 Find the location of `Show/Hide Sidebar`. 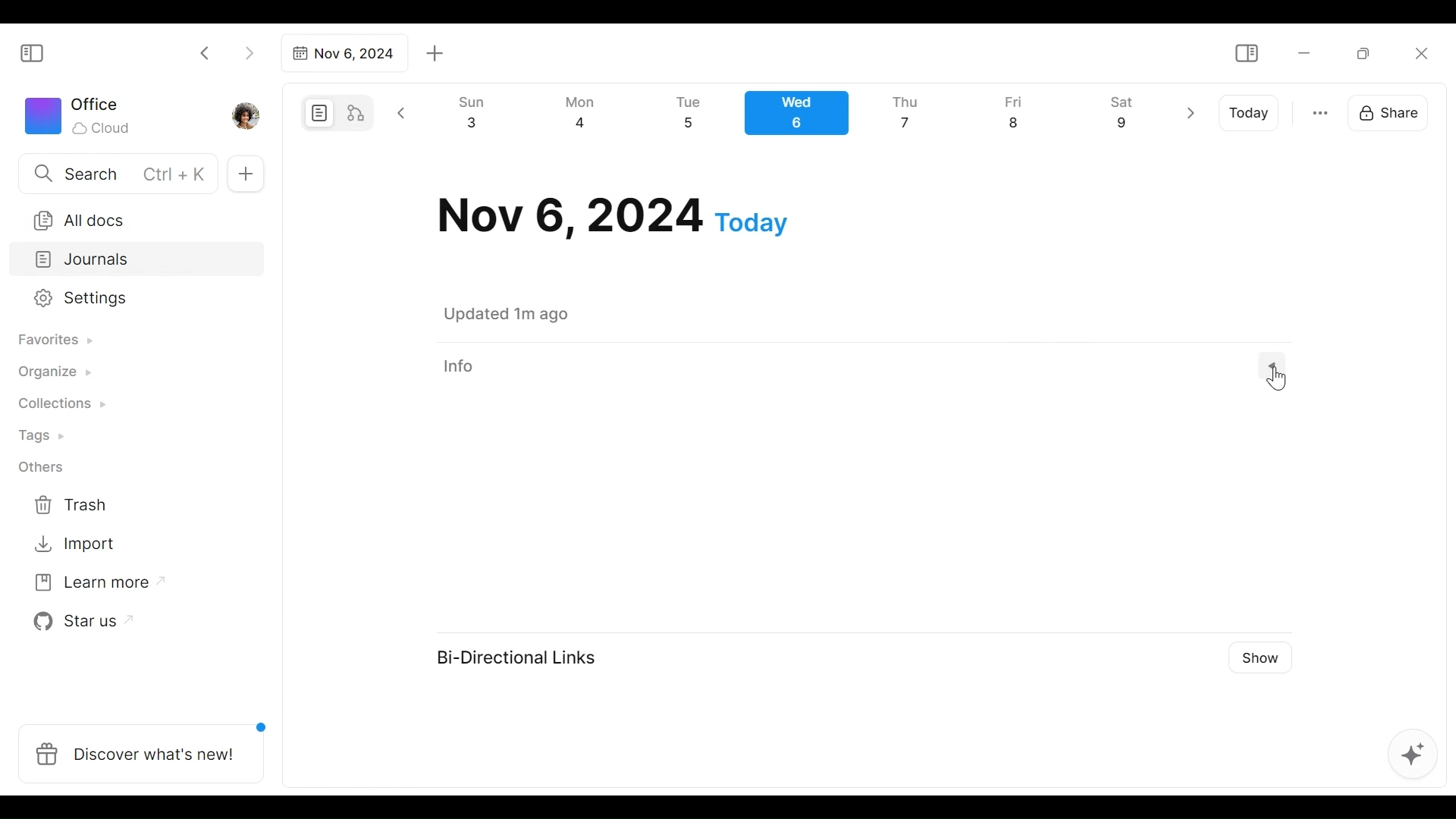

Show/Hide Sidebar is located at coordinates (39, 52).